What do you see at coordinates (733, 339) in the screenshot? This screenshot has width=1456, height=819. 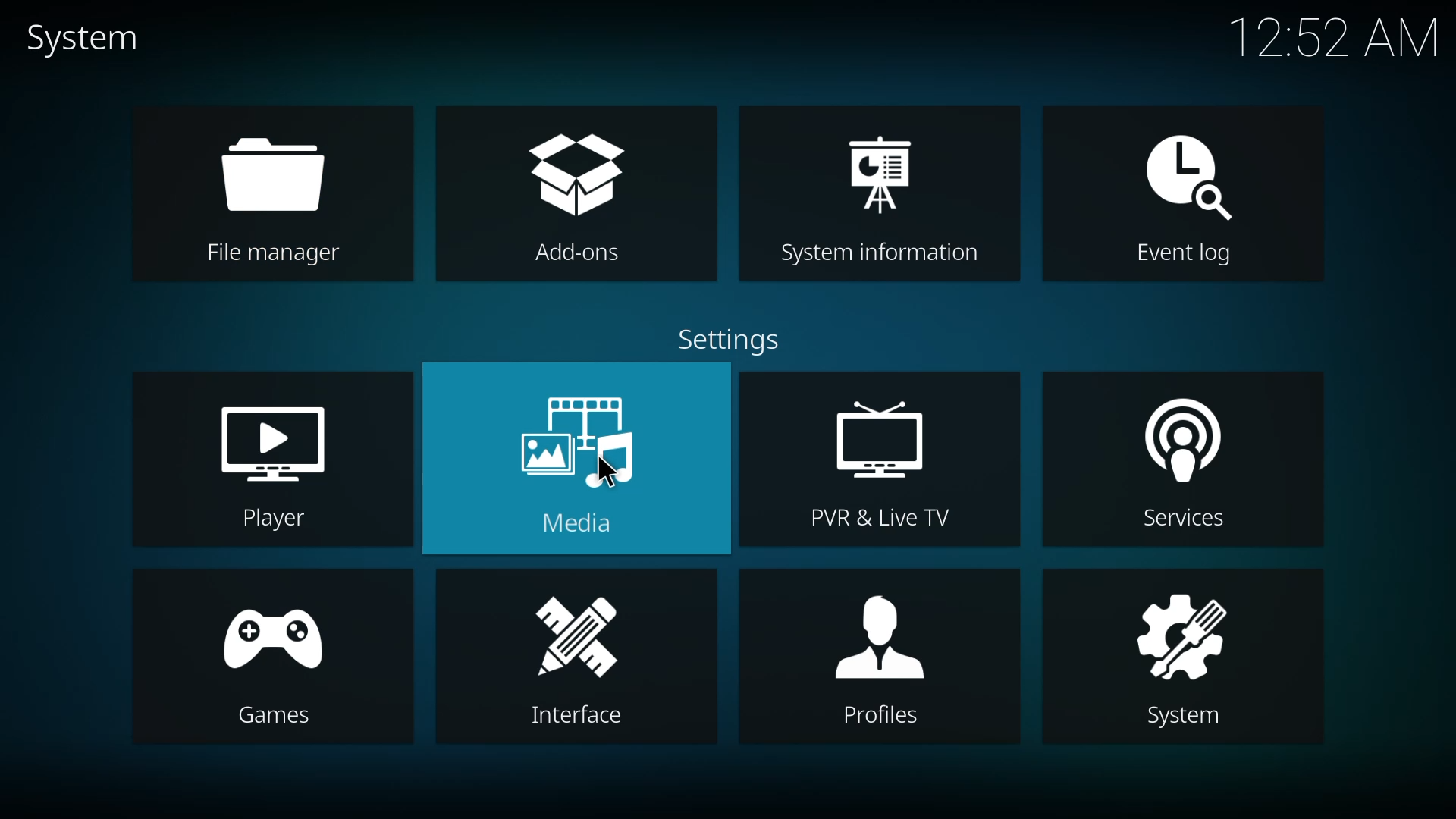 I see `settings` at bounding box center [733, 339].